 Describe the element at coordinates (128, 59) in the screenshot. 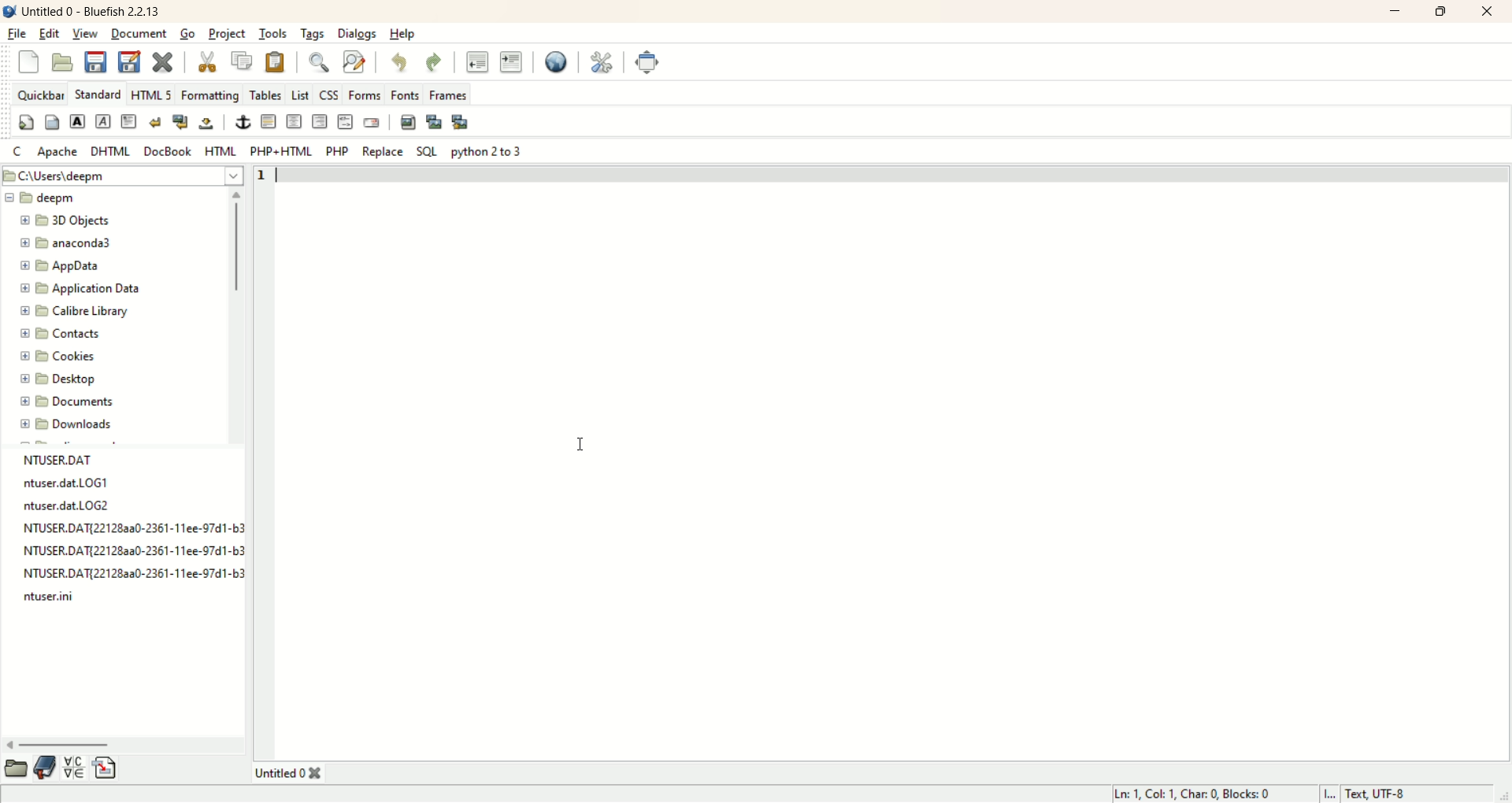

I see `save file as` at that location.